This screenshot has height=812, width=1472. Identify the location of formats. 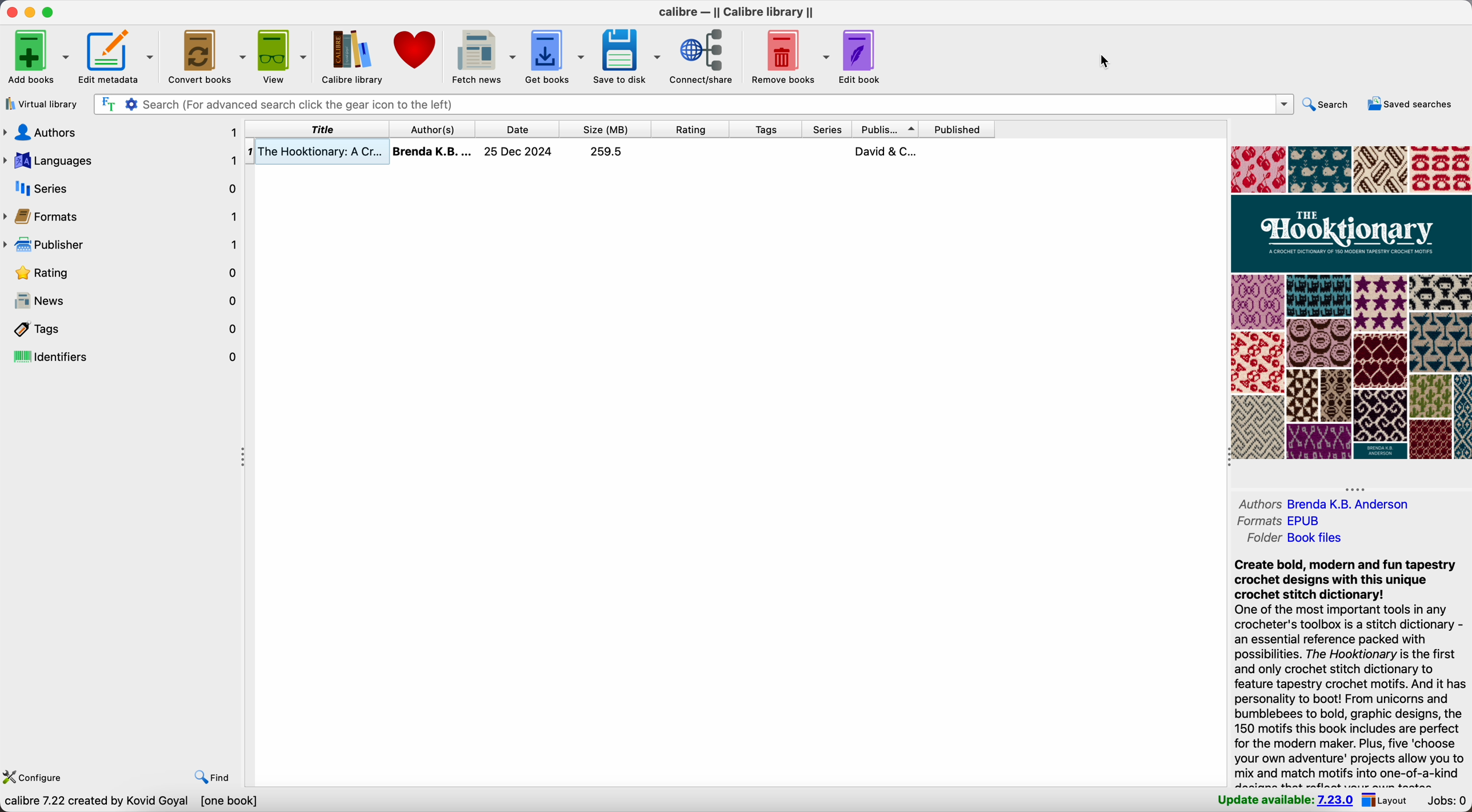
(1282, 520).